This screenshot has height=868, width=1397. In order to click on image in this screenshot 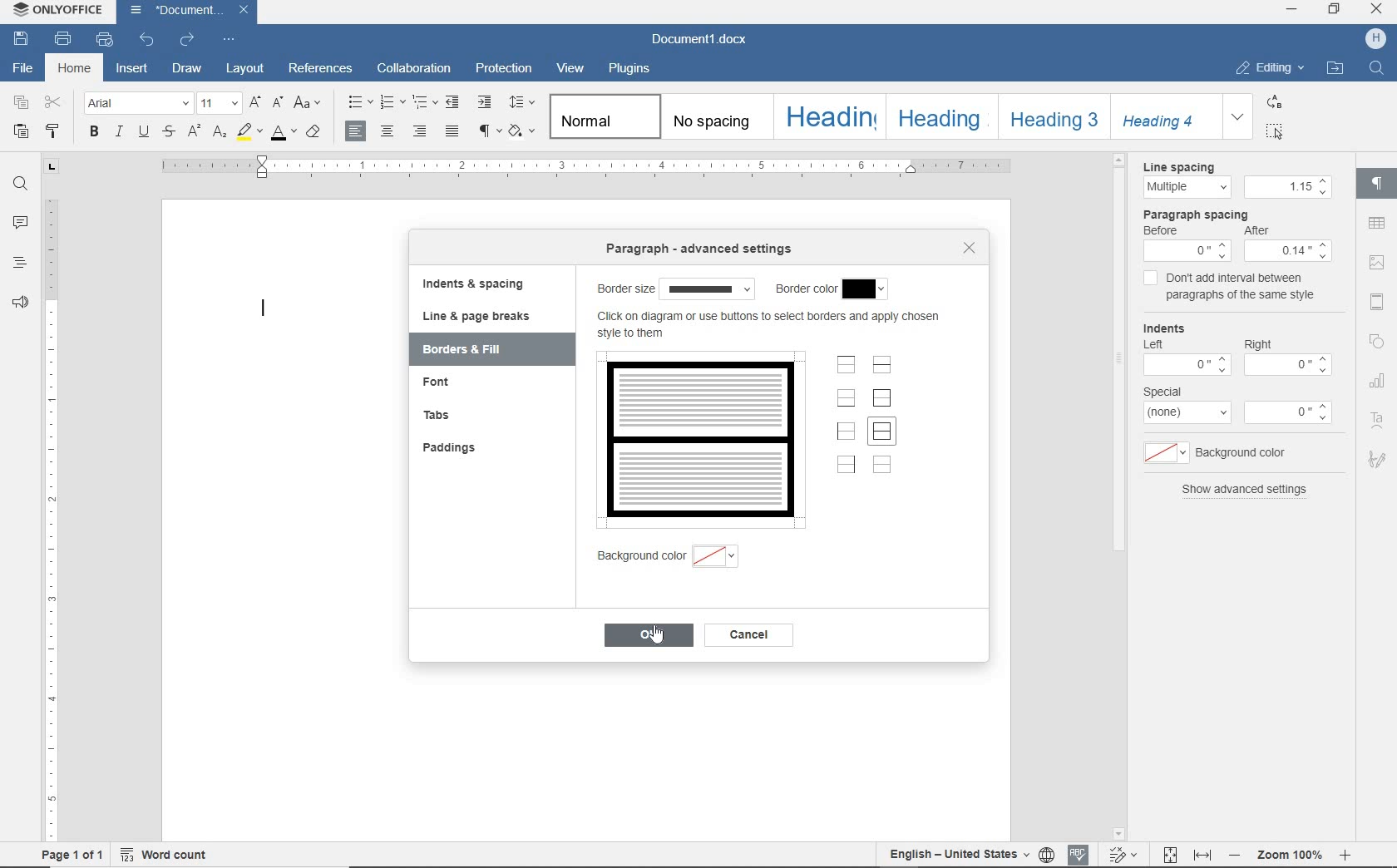, I will do `click(1375, 263)`.